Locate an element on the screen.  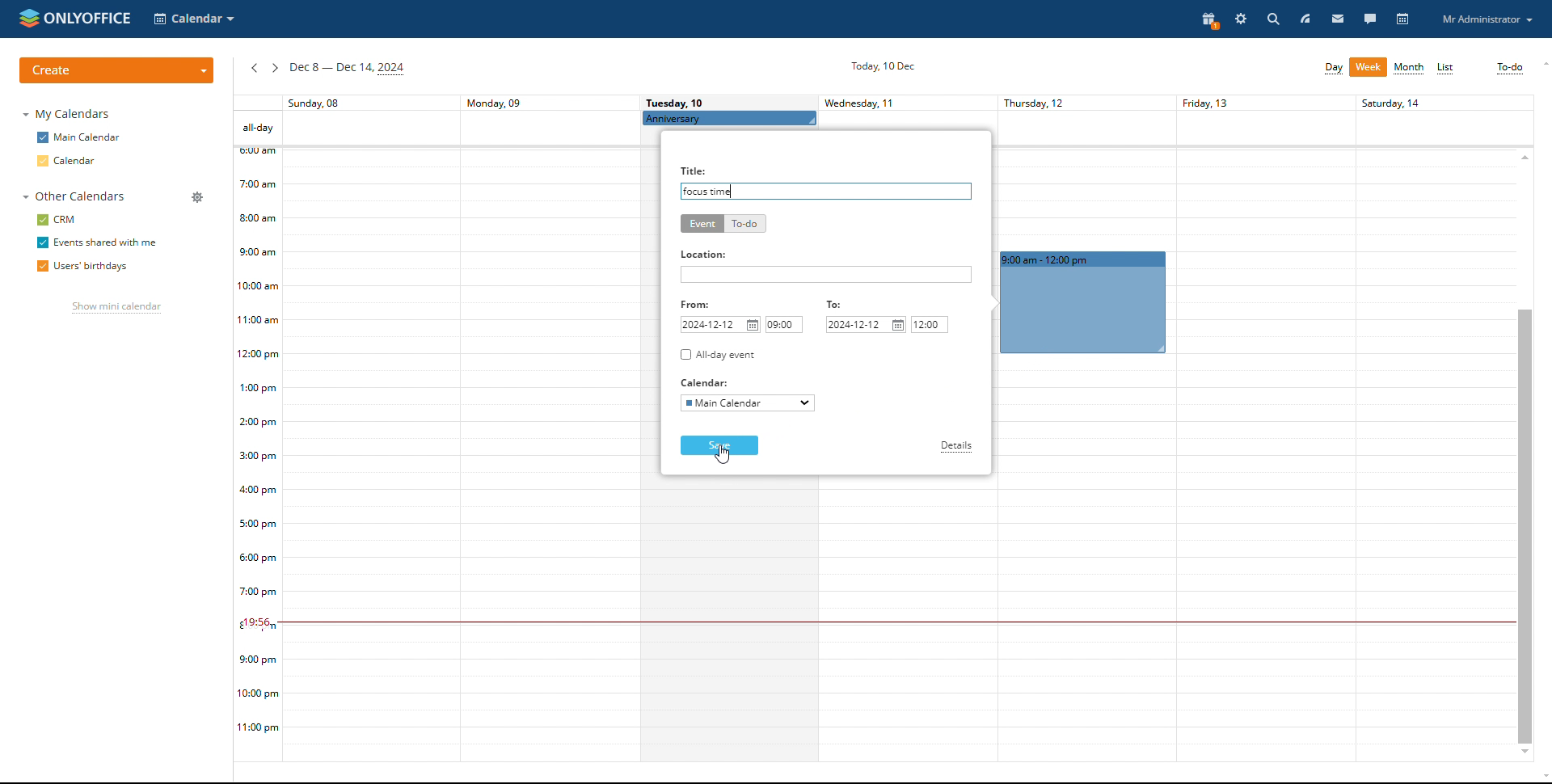
next week is located at coordinates (274, 68).